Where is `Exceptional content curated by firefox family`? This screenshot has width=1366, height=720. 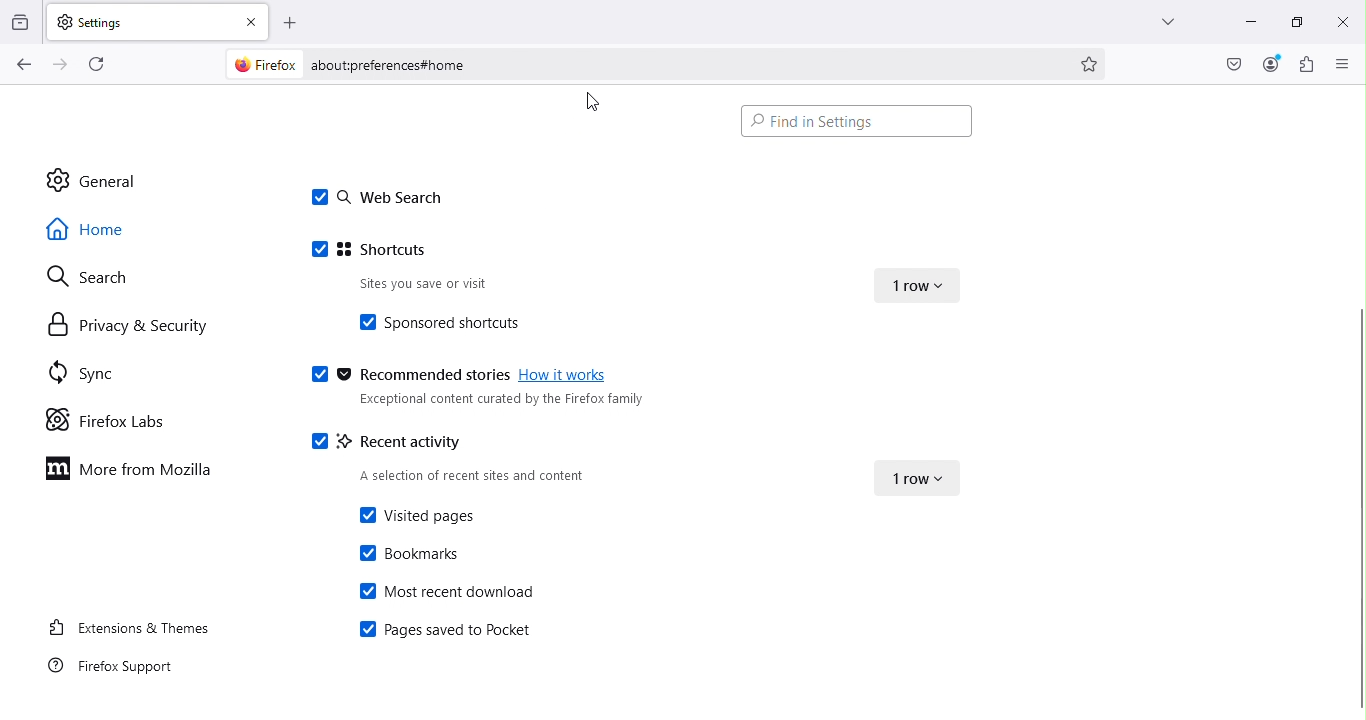 Exceptional content curated by firefox family is located at coordinates (496, 403).